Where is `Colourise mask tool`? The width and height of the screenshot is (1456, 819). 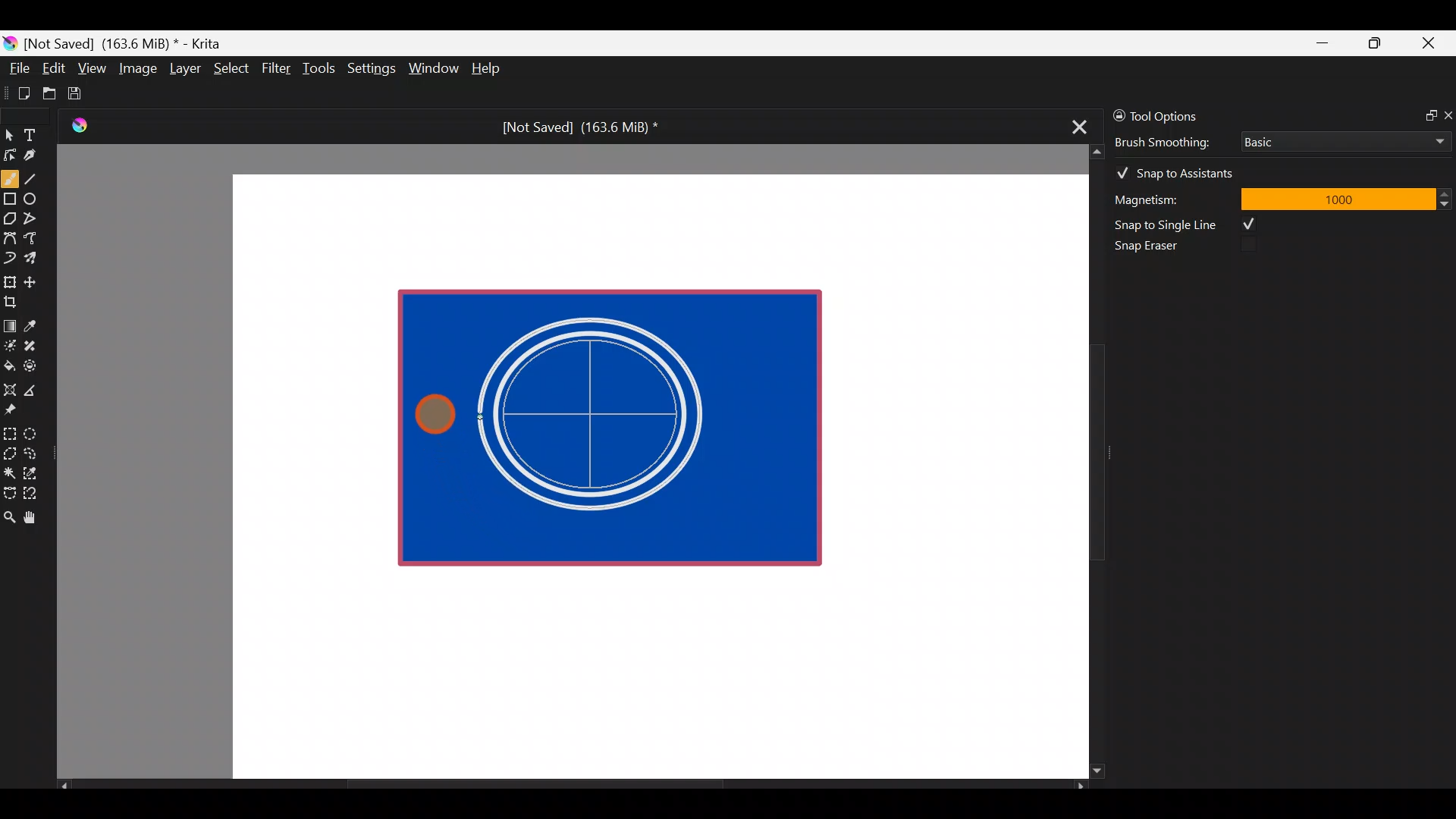
Colourise mask tool is located at coordinates (10, 344).